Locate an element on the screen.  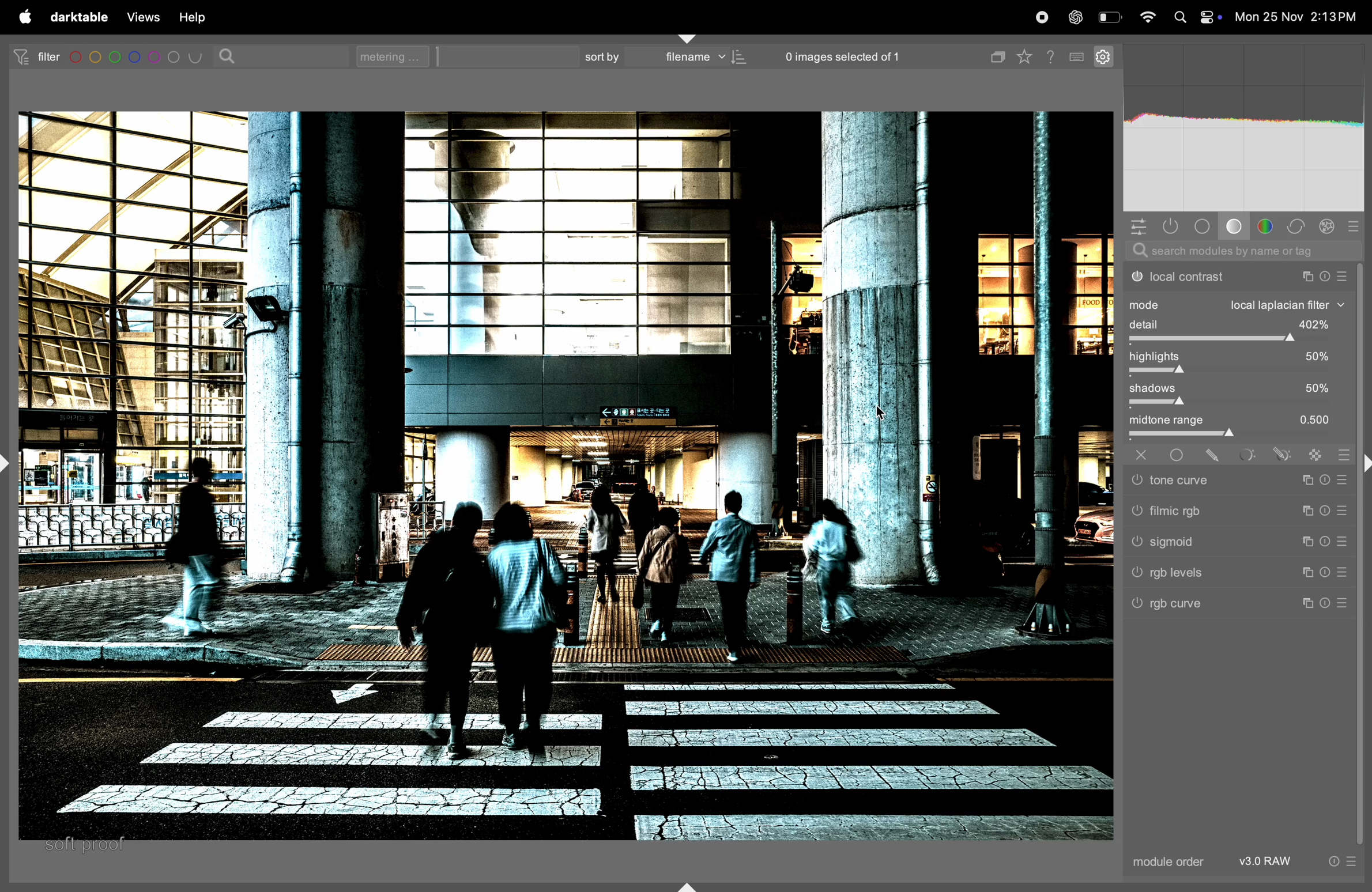
reset is located at coordinates (1326, 603).